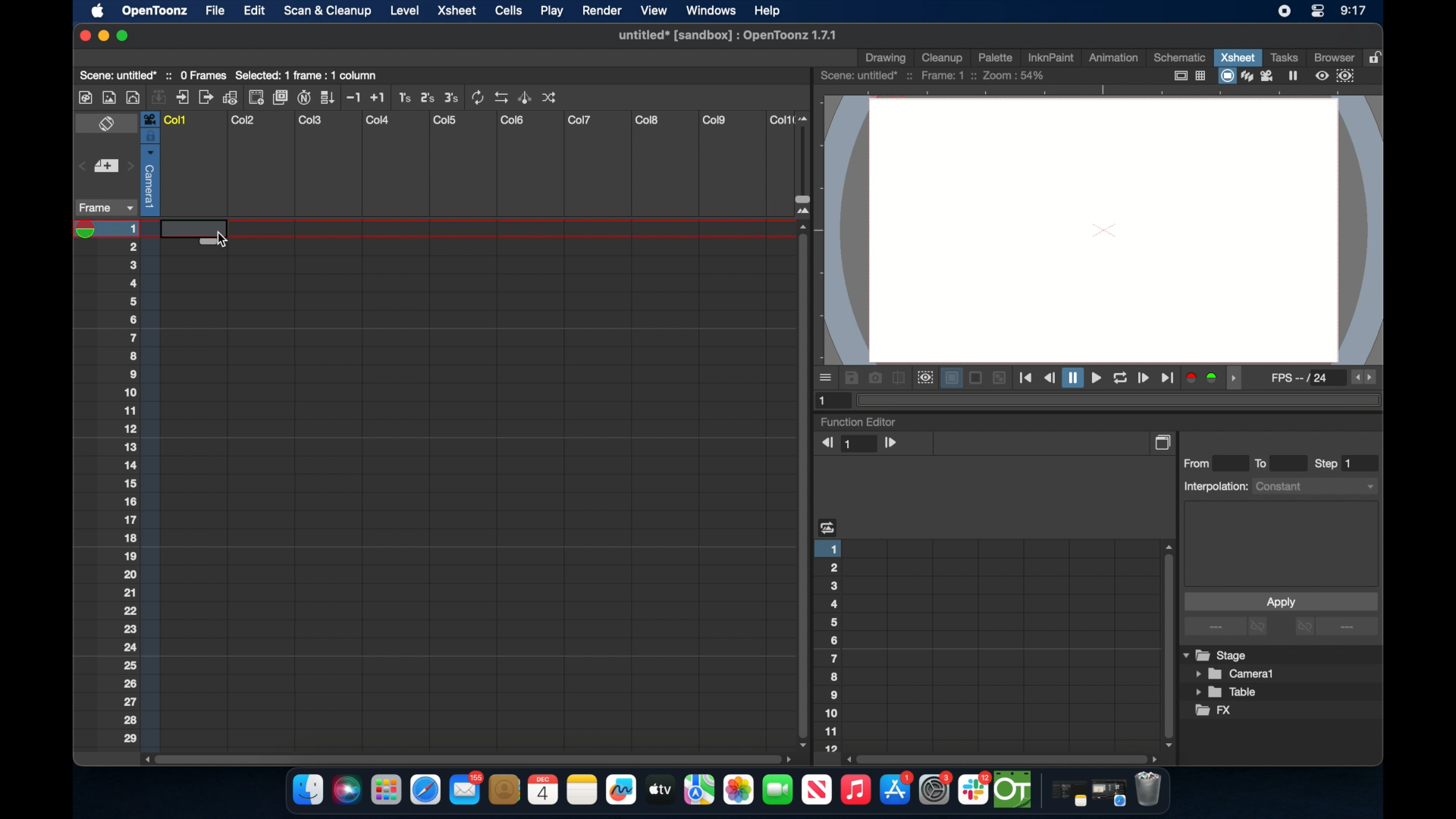 The width and height of the screenshot is (1456, 819). Describe the element at coordinates (1166, 645) in the screenshot. I see `scroll box` at that location.